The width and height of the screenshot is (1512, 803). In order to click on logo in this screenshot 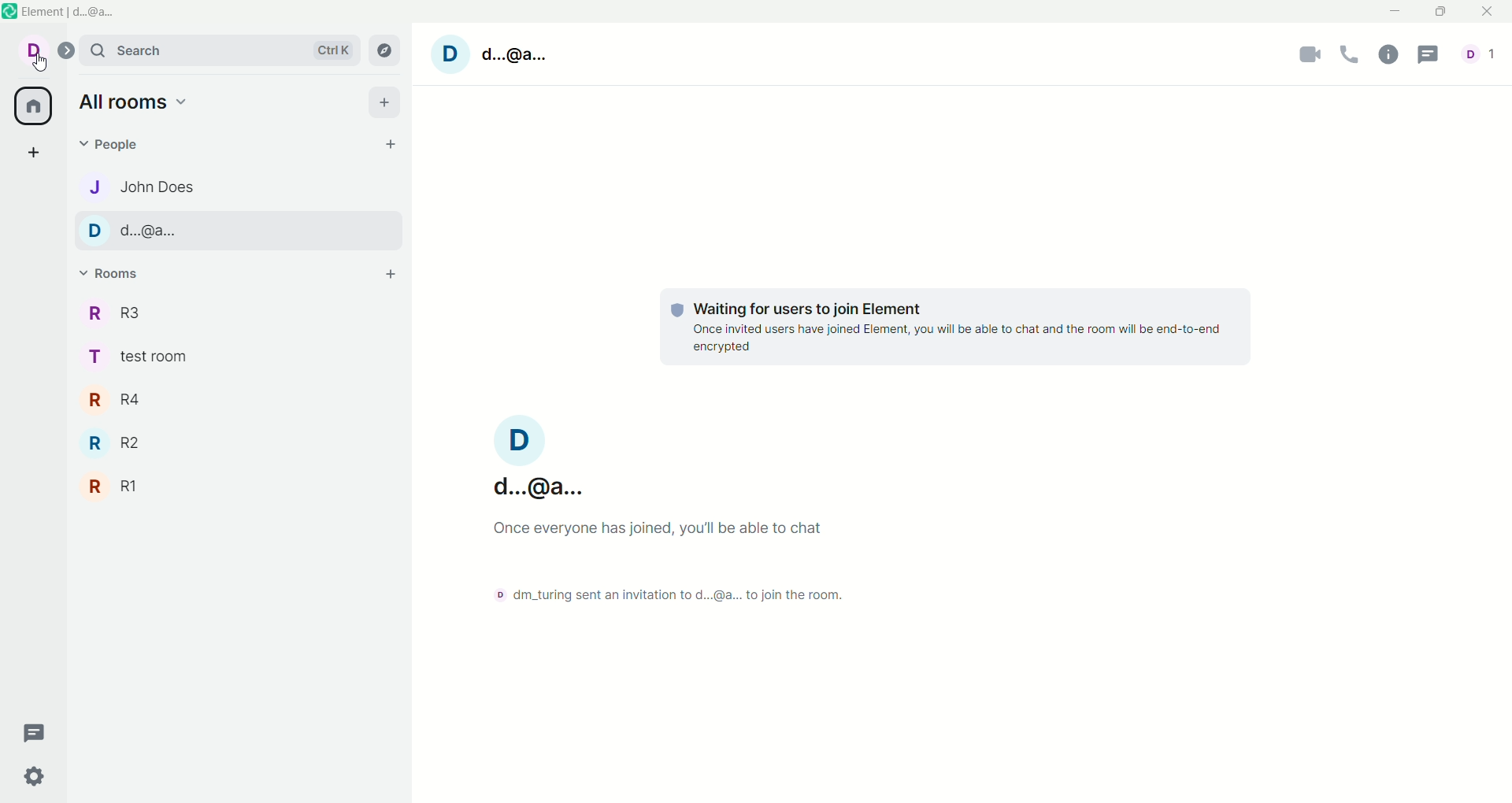, I will do `click(10, 13)`.